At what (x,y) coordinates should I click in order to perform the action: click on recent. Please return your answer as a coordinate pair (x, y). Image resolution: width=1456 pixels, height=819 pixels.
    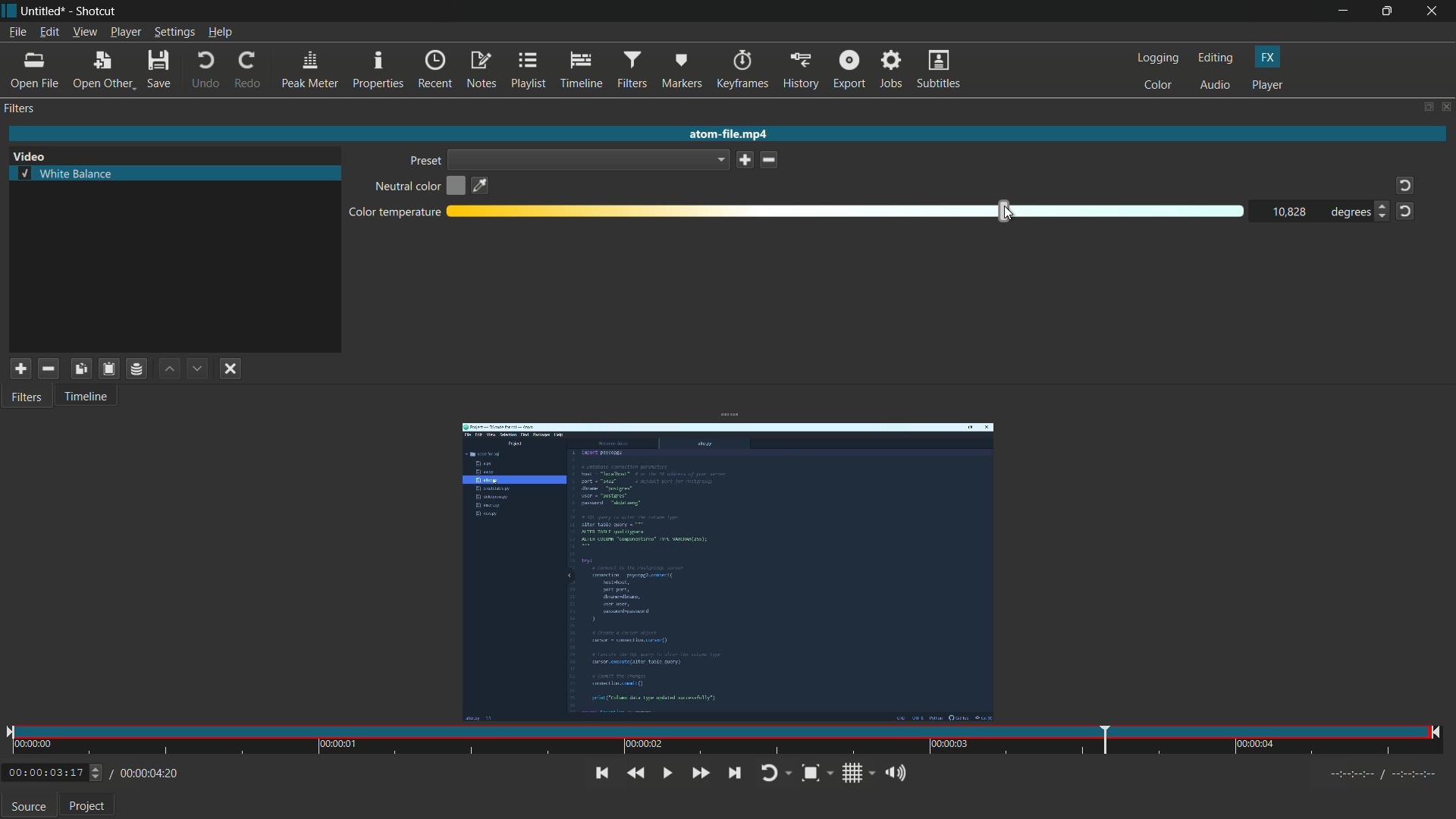
    Looking at the image, I should click on (436, 71).